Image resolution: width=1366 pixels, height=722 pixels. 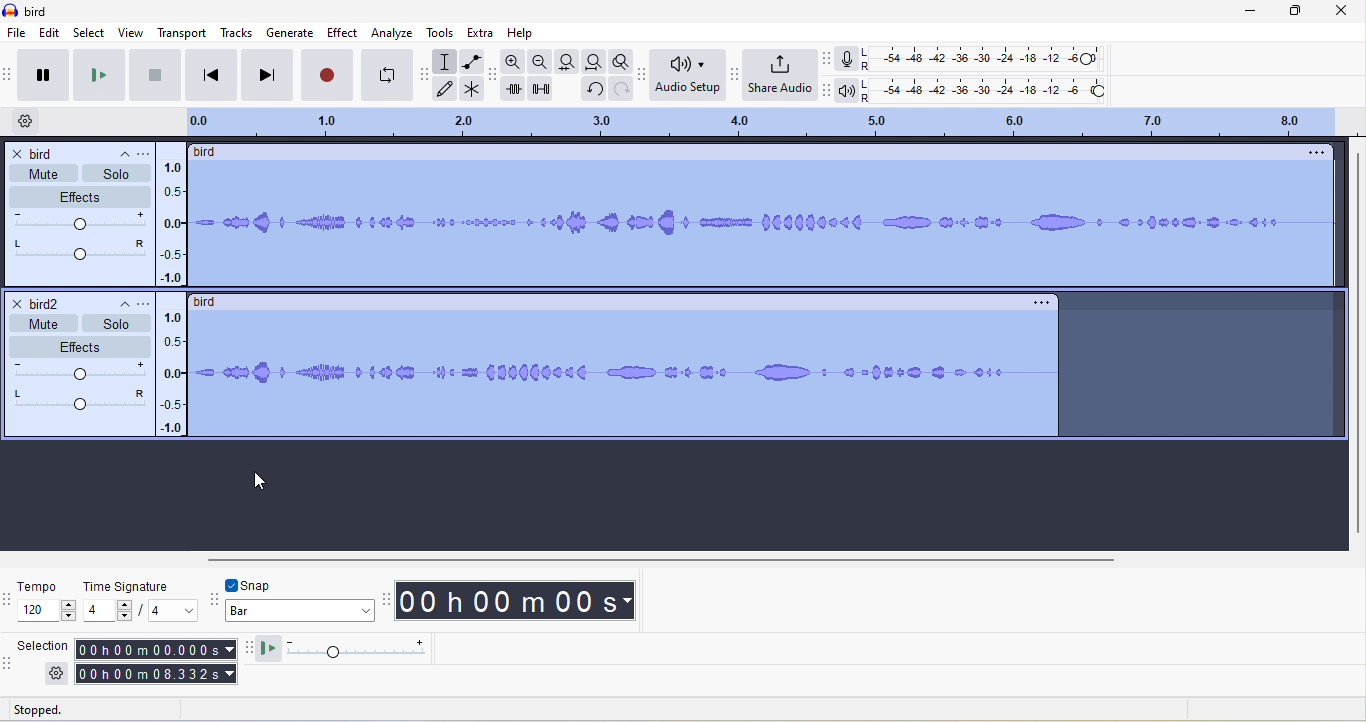 What do you see at coordinates (1357, 346) in the screenshot?
I see `vertical scroll bar` at bounding box center [1357, 346].